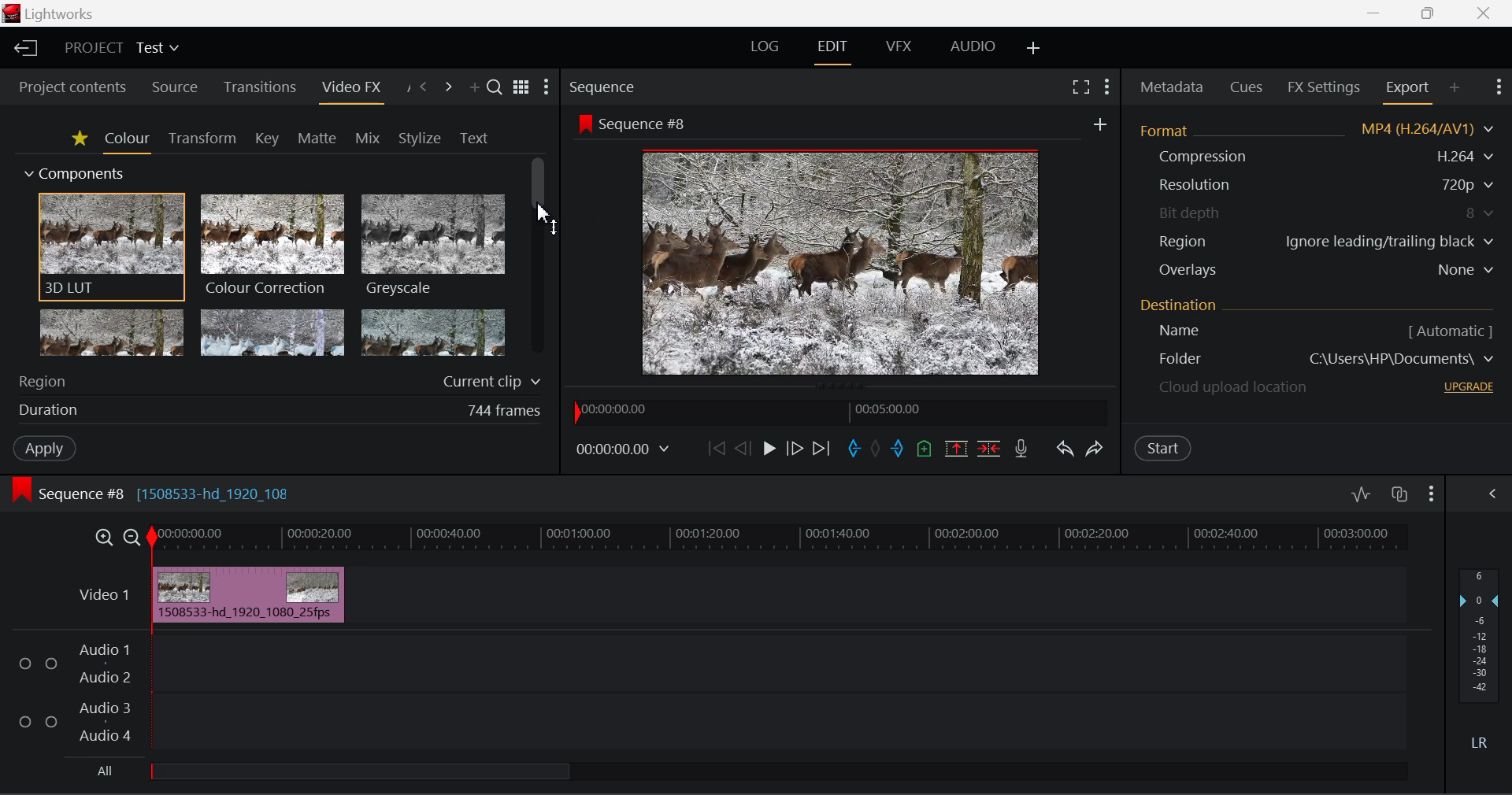 This screenshot has width=1512, height=795. I want to click on Mark Out, so click(898, 452).